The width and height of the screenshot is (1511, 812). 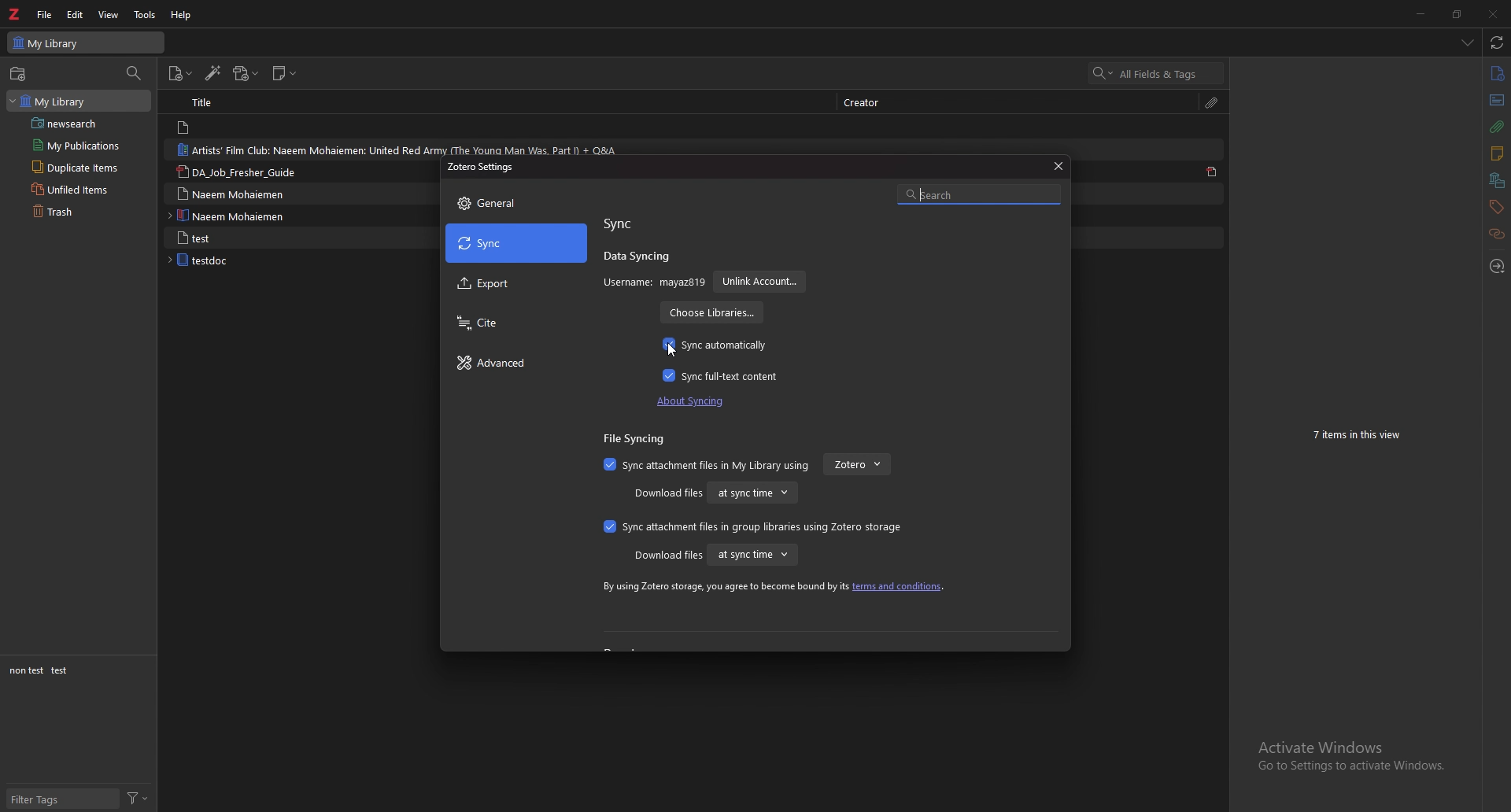 I want to click on sync attachment files in group libraries using zotero storage, so click(x=749, y=526).